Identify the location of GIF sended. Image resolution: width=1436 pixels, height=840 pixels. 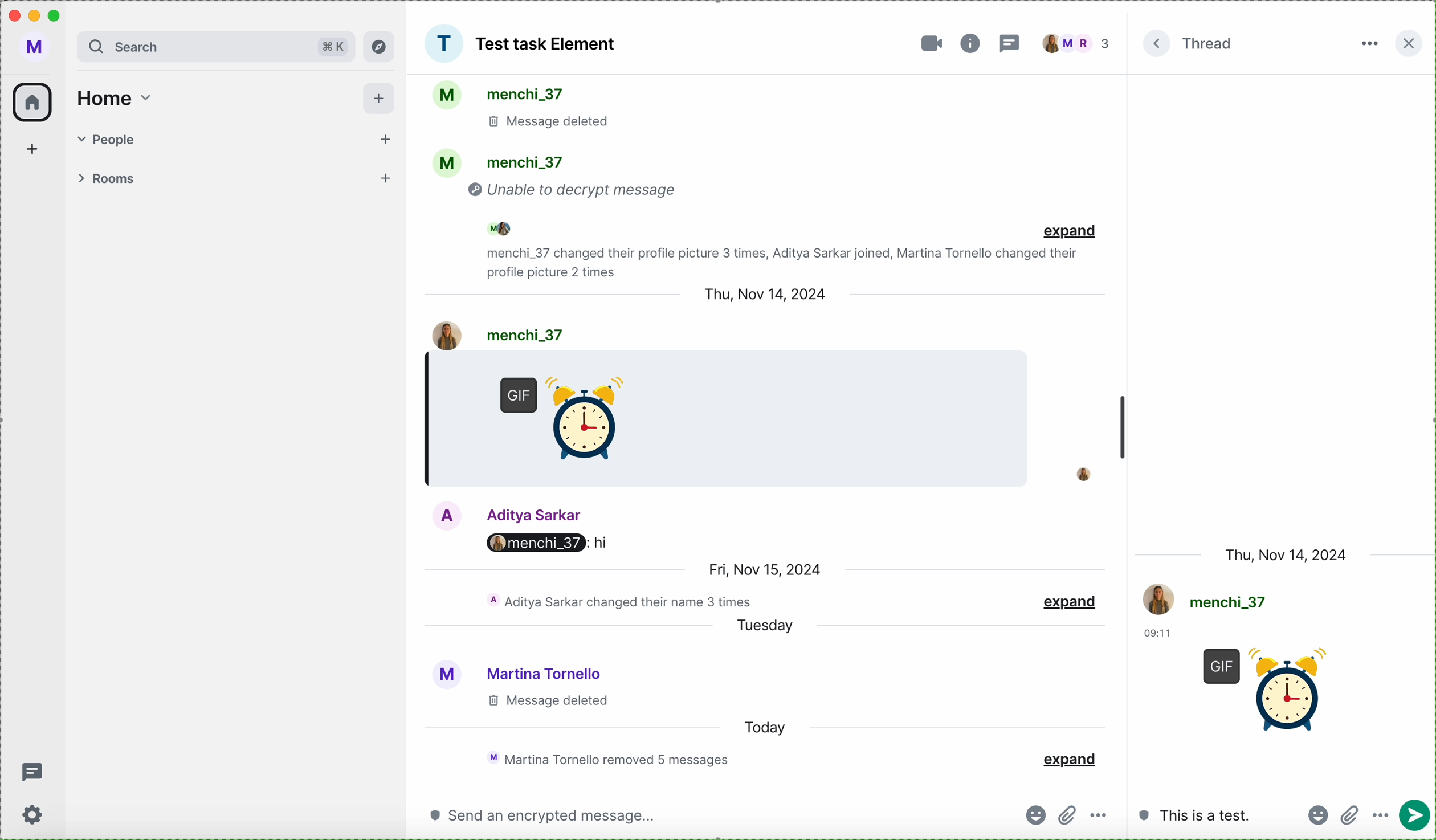
(572, 425).